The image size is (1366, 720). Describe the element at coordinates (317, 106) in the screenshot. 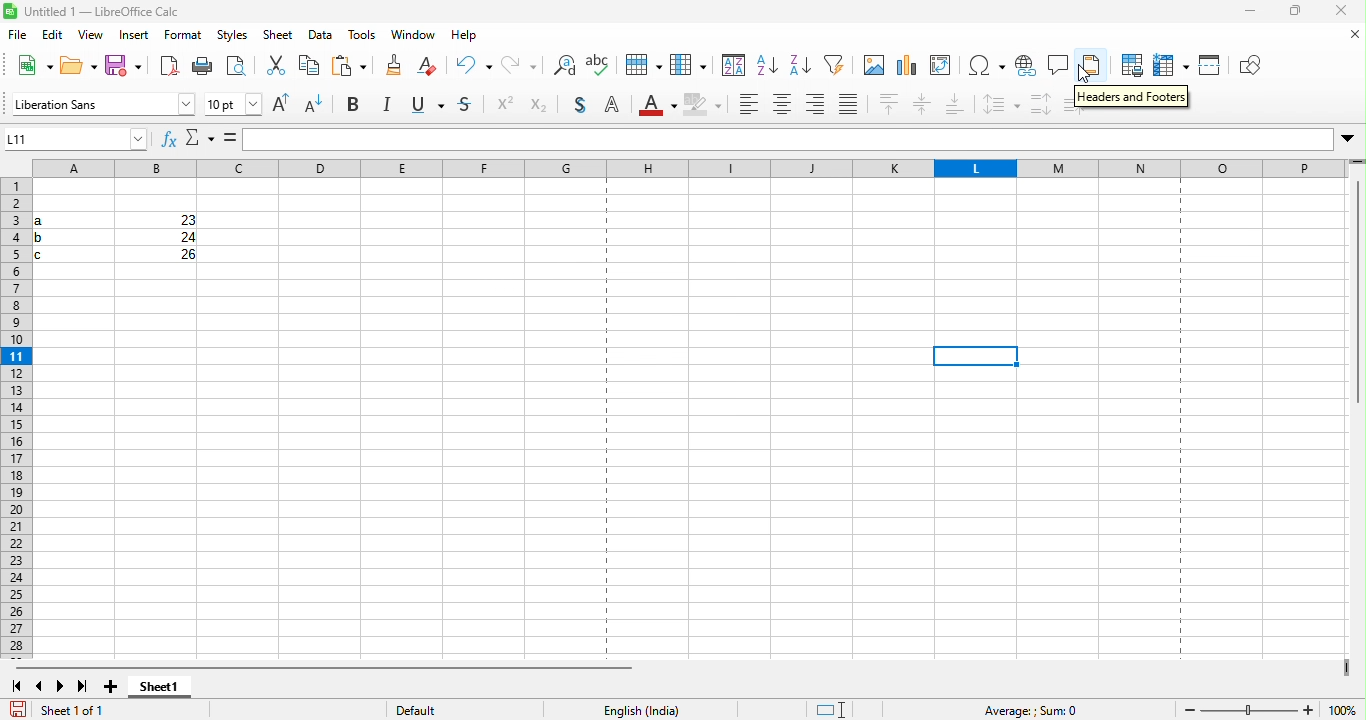

I see `decrease font size` at that location.